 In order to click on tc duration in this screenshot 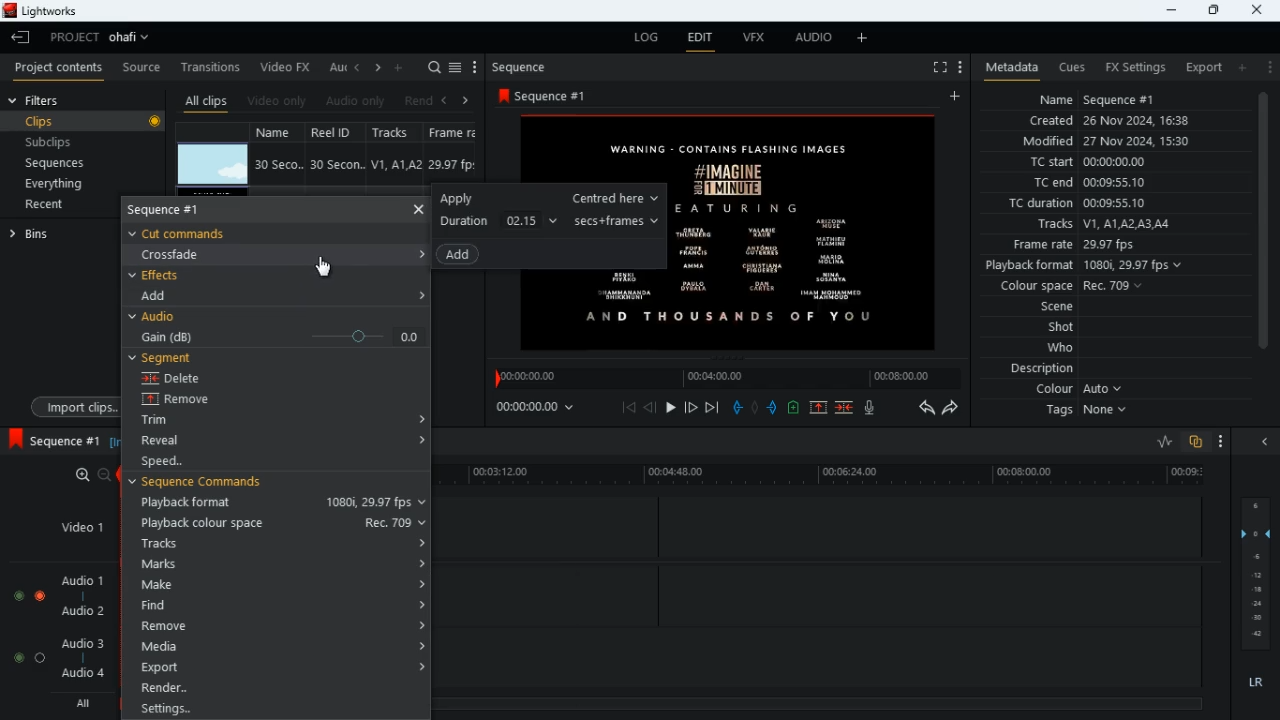, I will do `click(1091, 203)`.